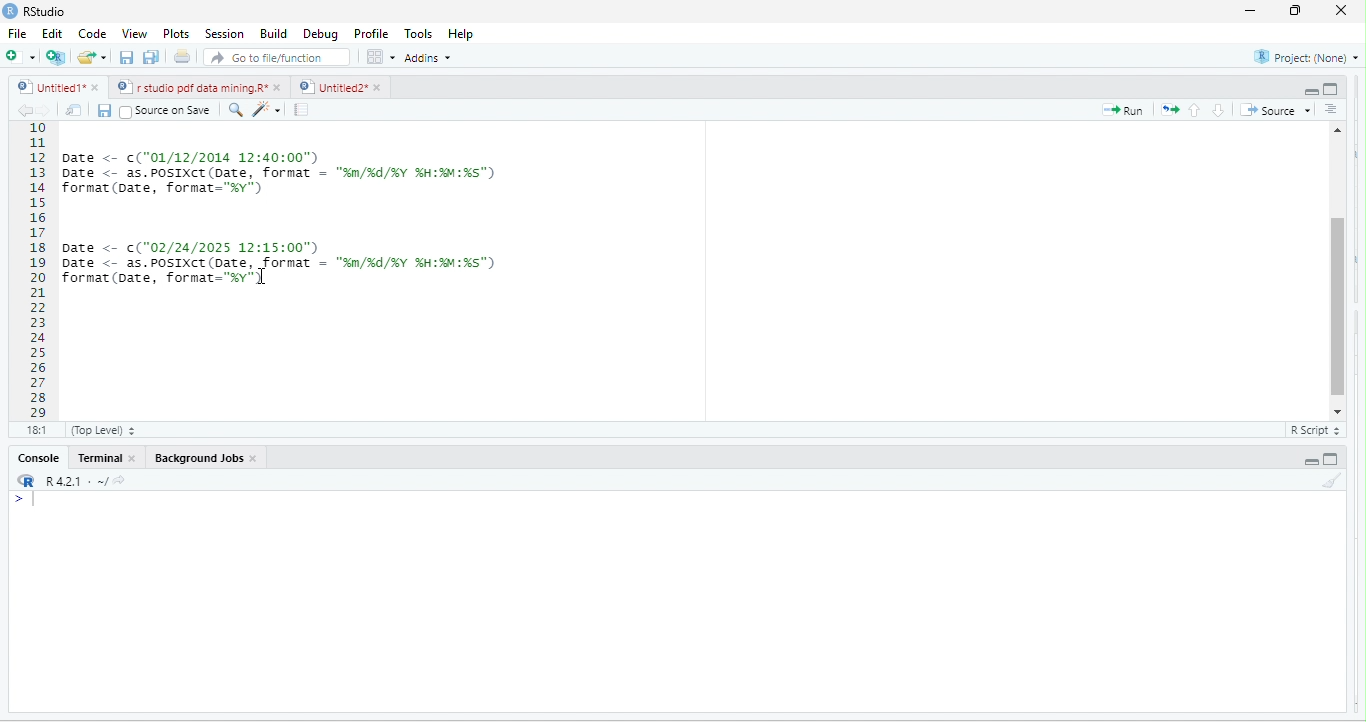 The width and height of the screenshot is (1366, 722). I want to click on  project: (None) , so click(1303, 56).